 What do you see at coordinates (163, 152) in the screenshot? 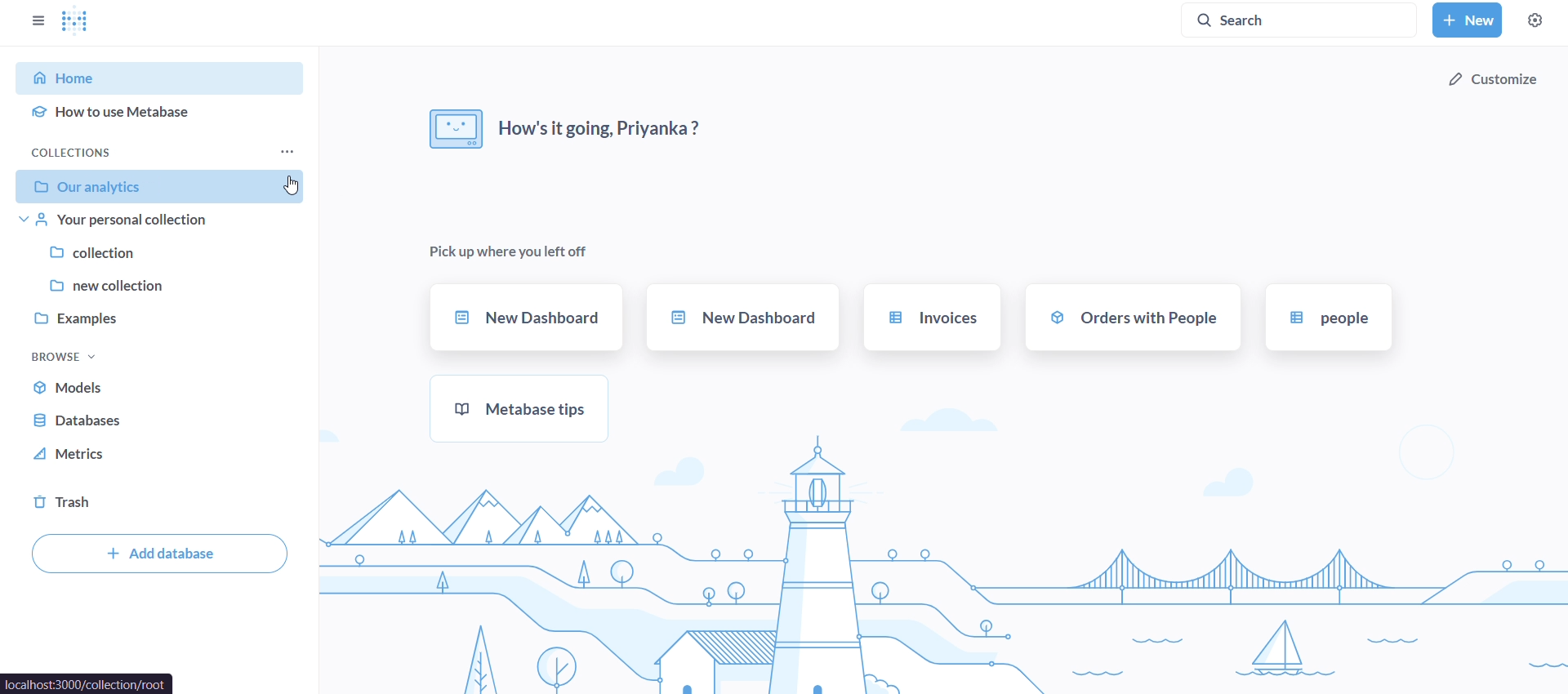
I see `collections` at bounding box center [163, 152].